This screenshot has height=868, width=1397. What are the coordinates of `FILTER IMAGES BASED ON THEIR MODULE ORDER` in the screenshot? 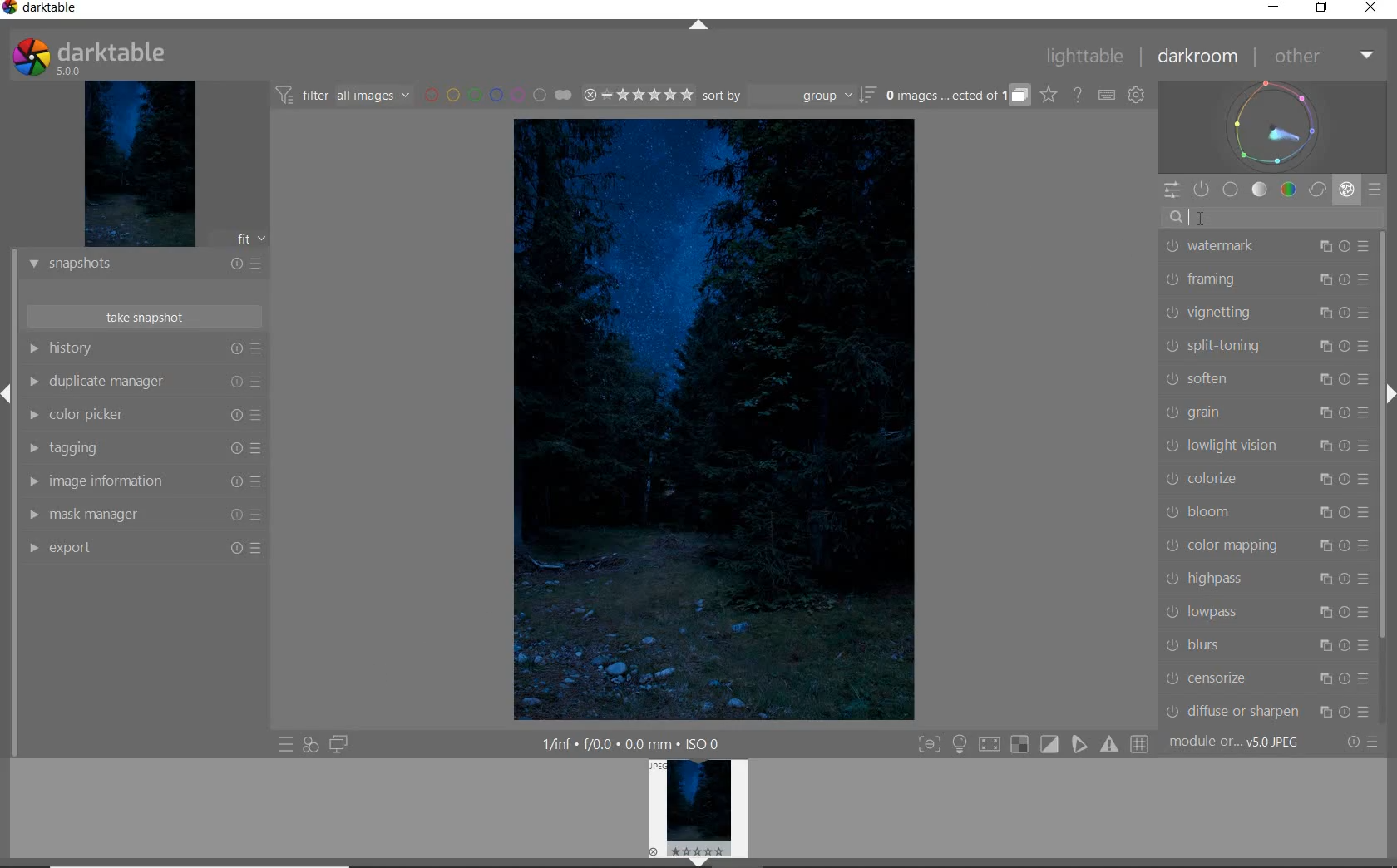 It's located at (345, 96).